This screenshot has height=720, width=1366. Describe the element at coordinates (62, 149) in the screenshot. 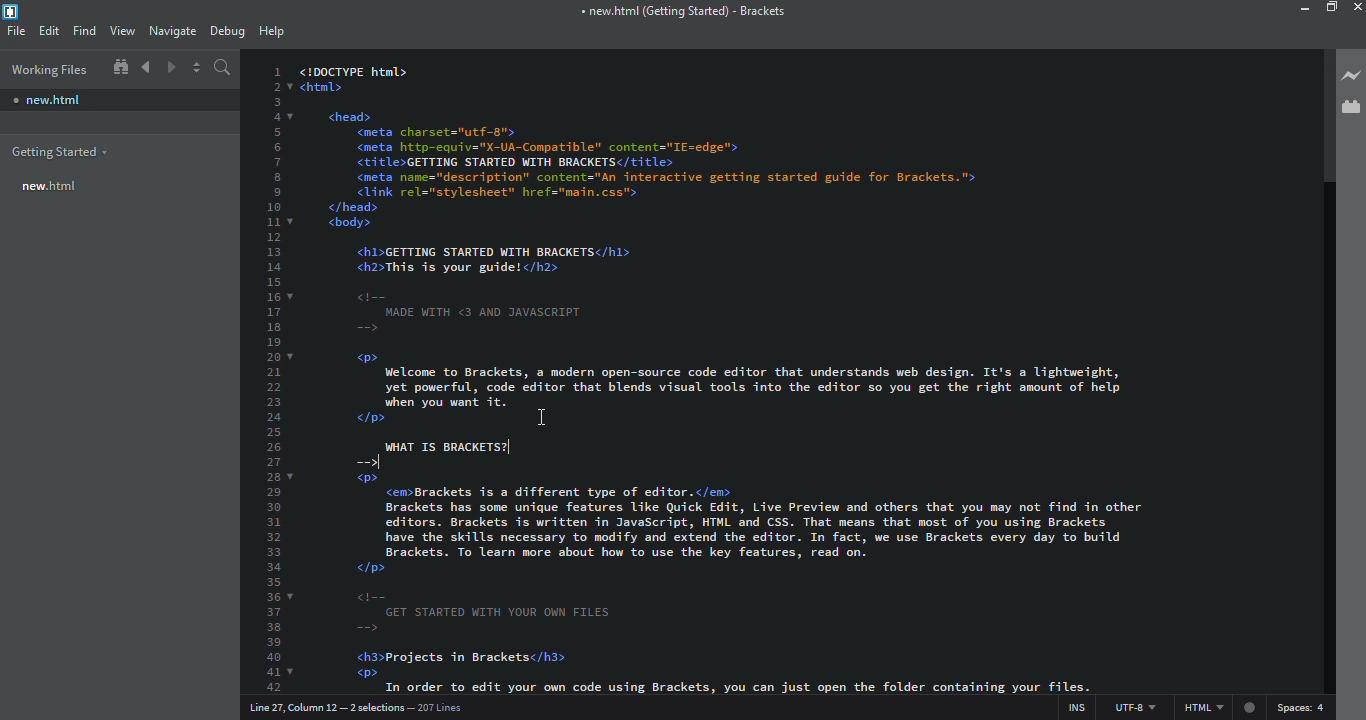

I see `getting started` at that location.